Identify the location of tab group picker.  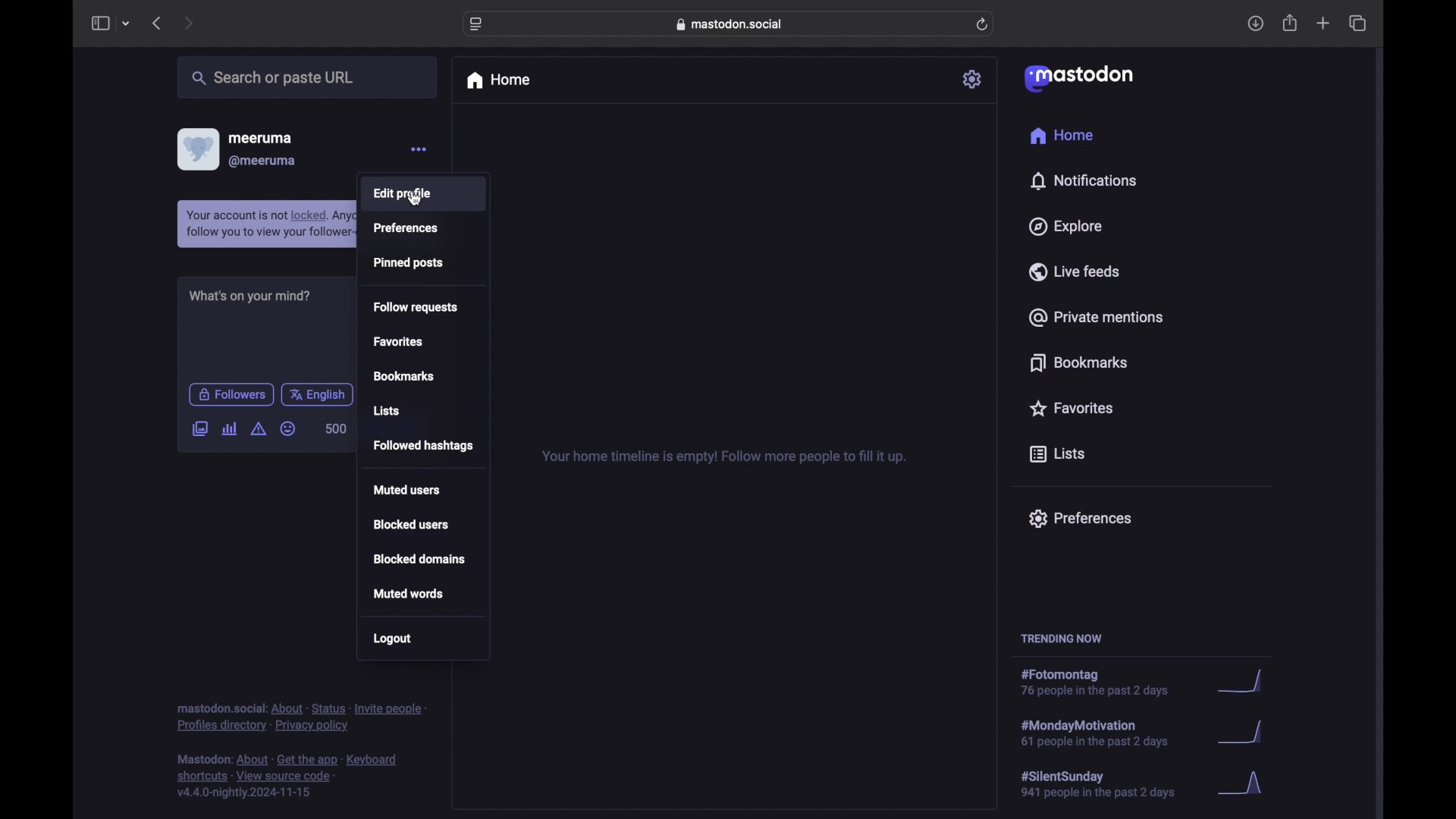
(126, 24).